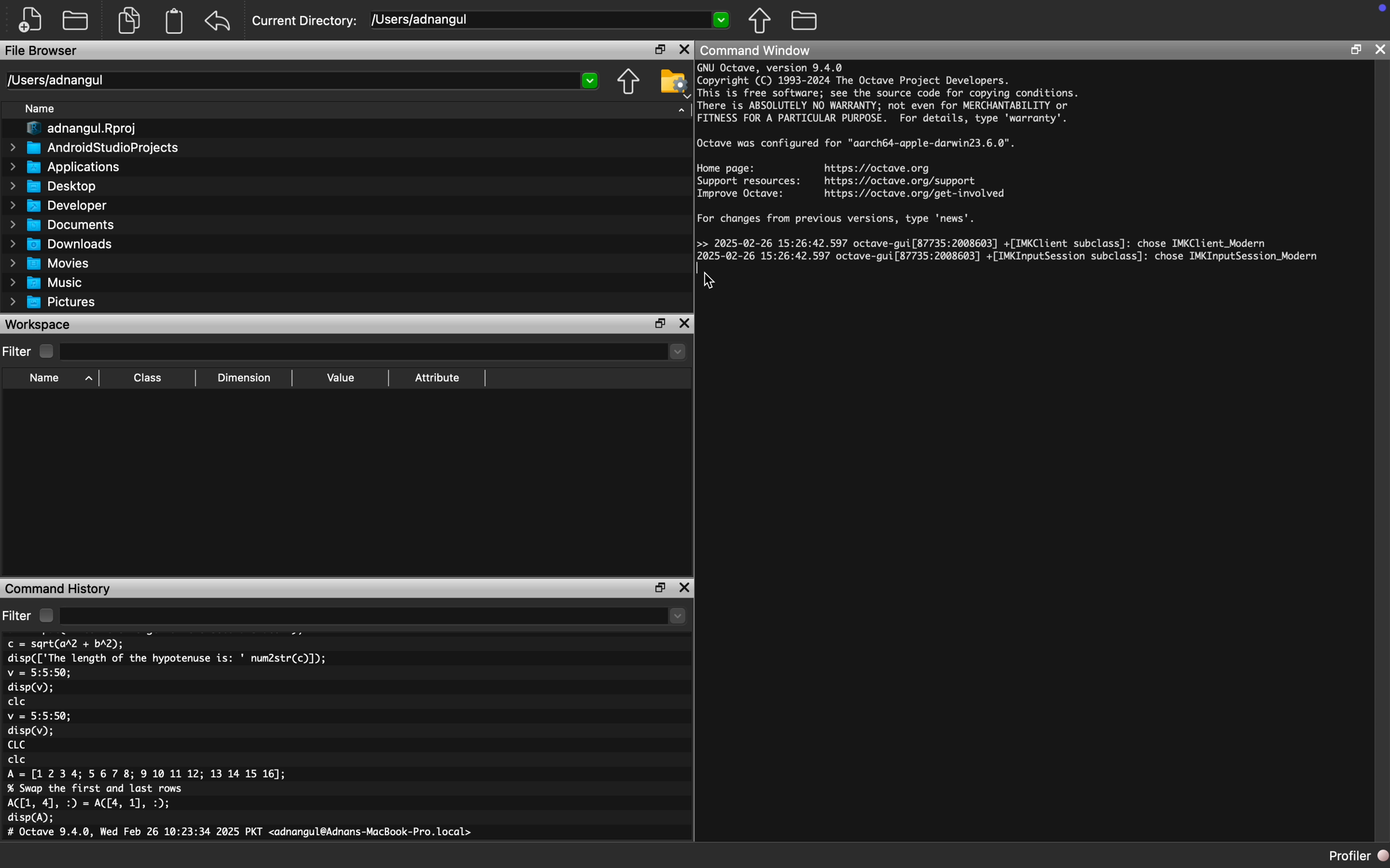  What do you see at coordinates (852, 181) in the screenshot?
I see `Home page: https://octave.org
Support resources: https://octave.org/support
Improve Octave: https://octave.org/get-involved` at bounding box center [852, 181].